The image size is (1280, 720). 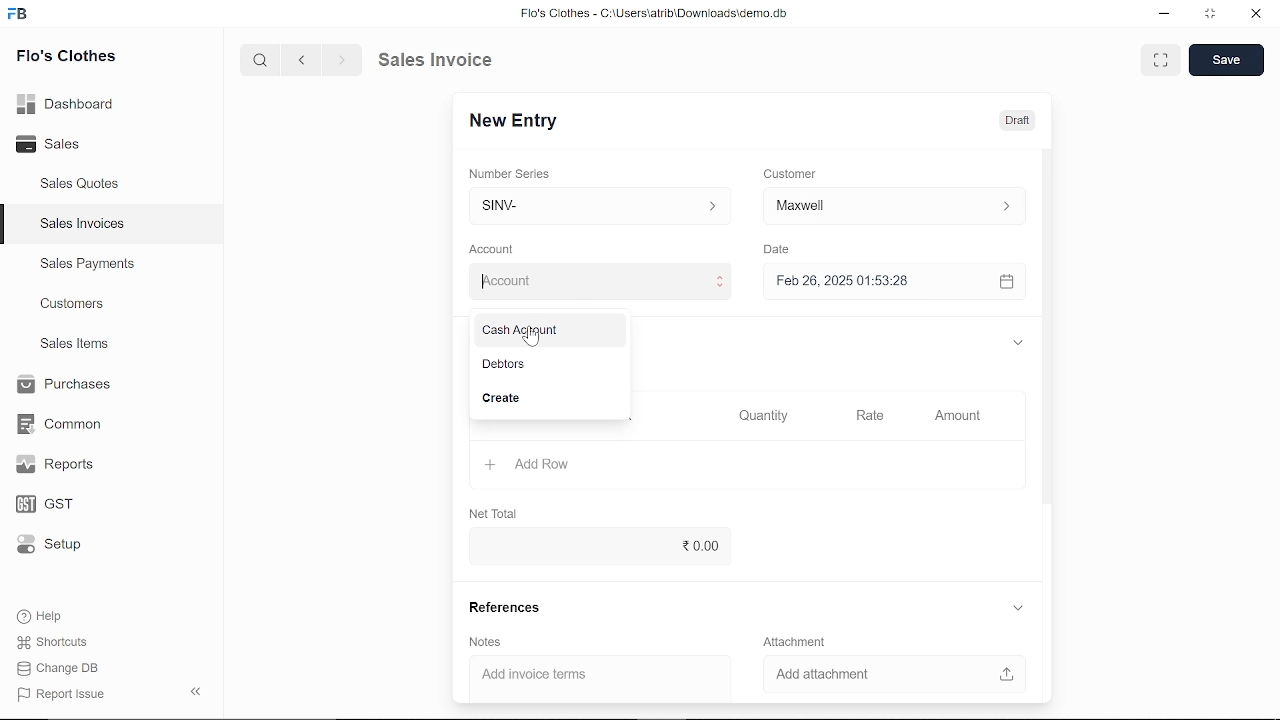 What do you see at coordinates (496, 511) in the screenshot?
I see `Net Total` at bounding box center [496, 511].